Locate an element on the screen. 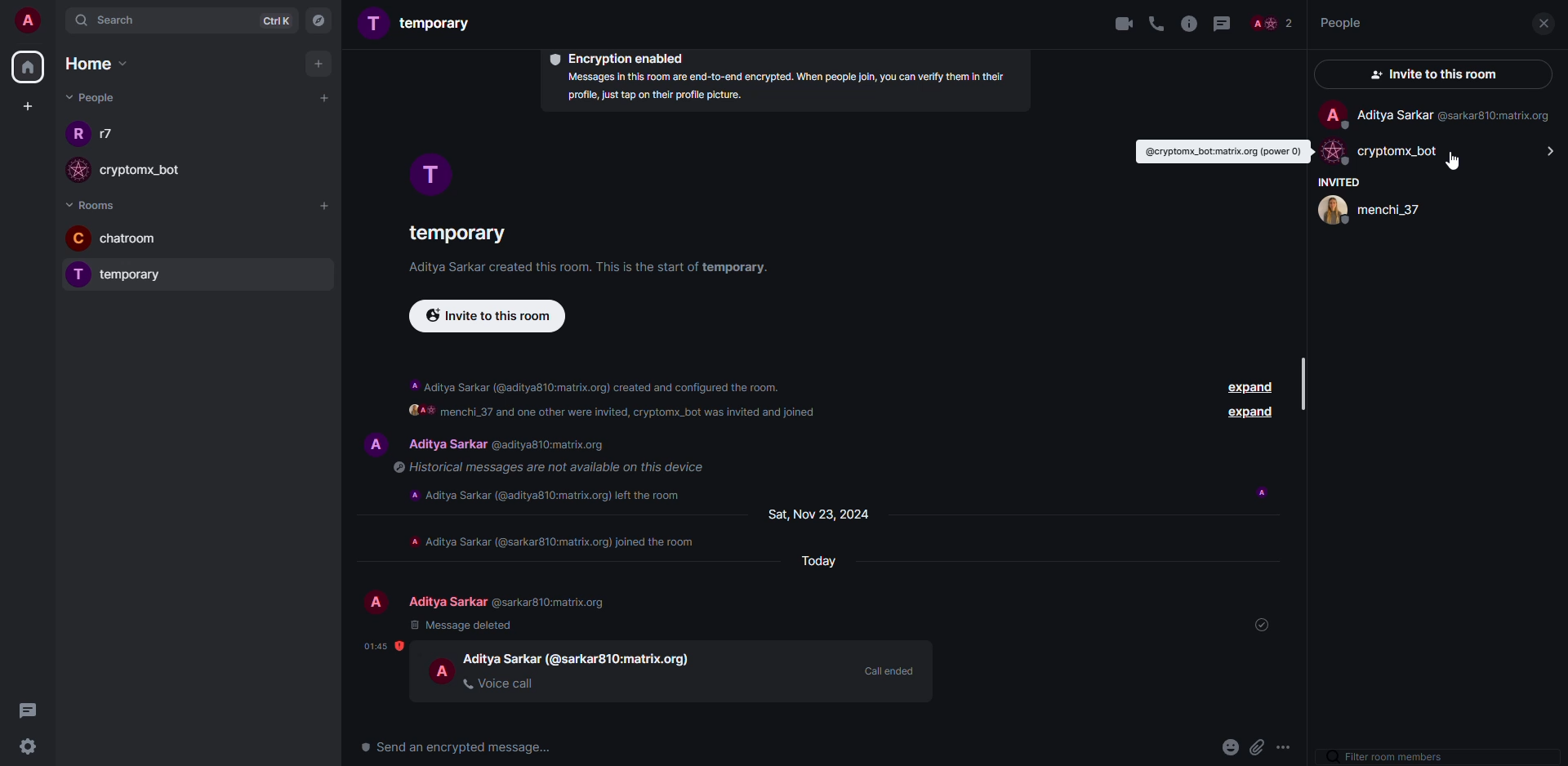 This screenshot has width=1568, height=766. invite to this room is located at coordinates (491, 317).